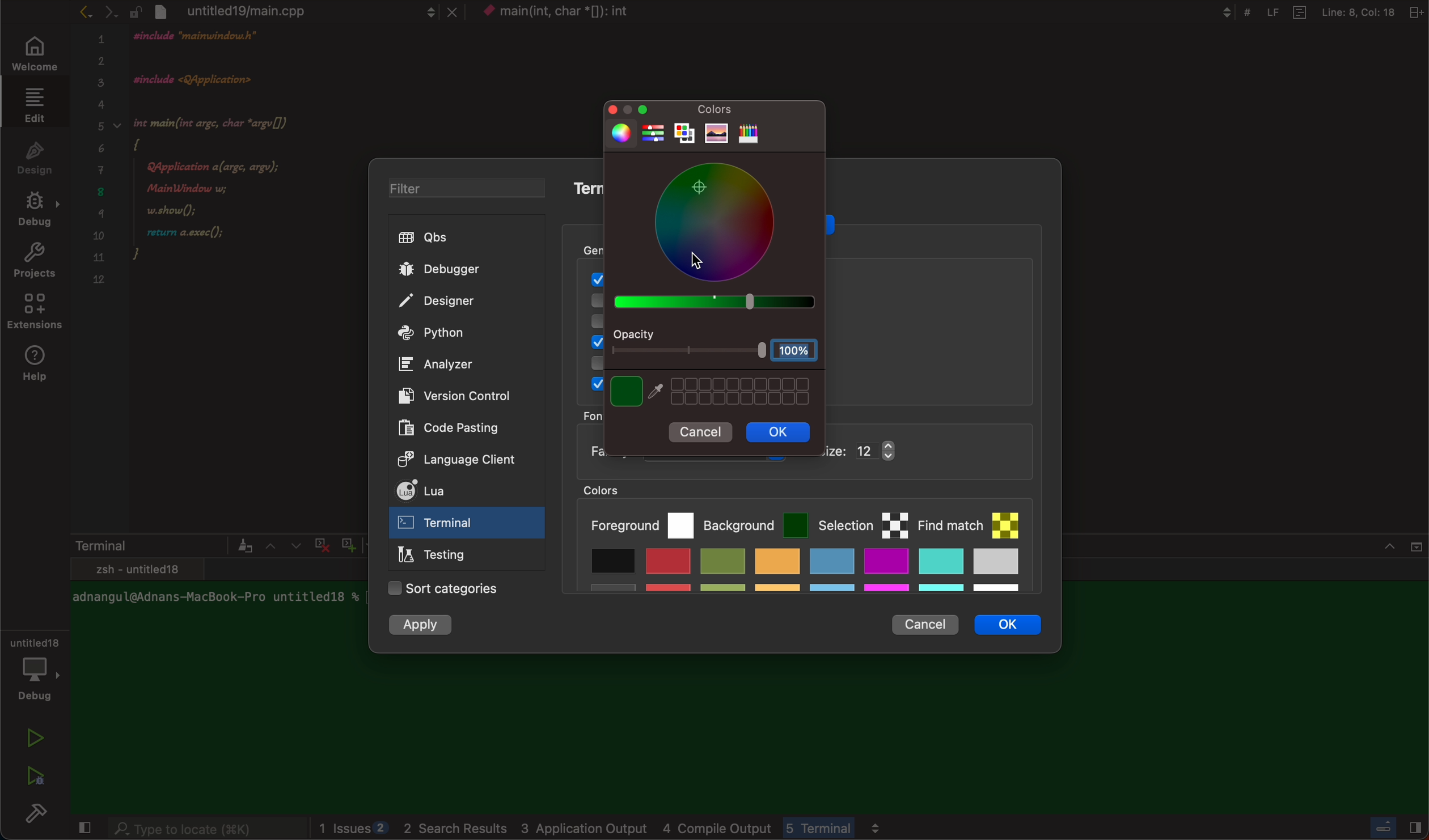 The image size is (1429, 840). Describe the element at coordinates (1389, 825) in the screenshot. I see `close bar` at that location.